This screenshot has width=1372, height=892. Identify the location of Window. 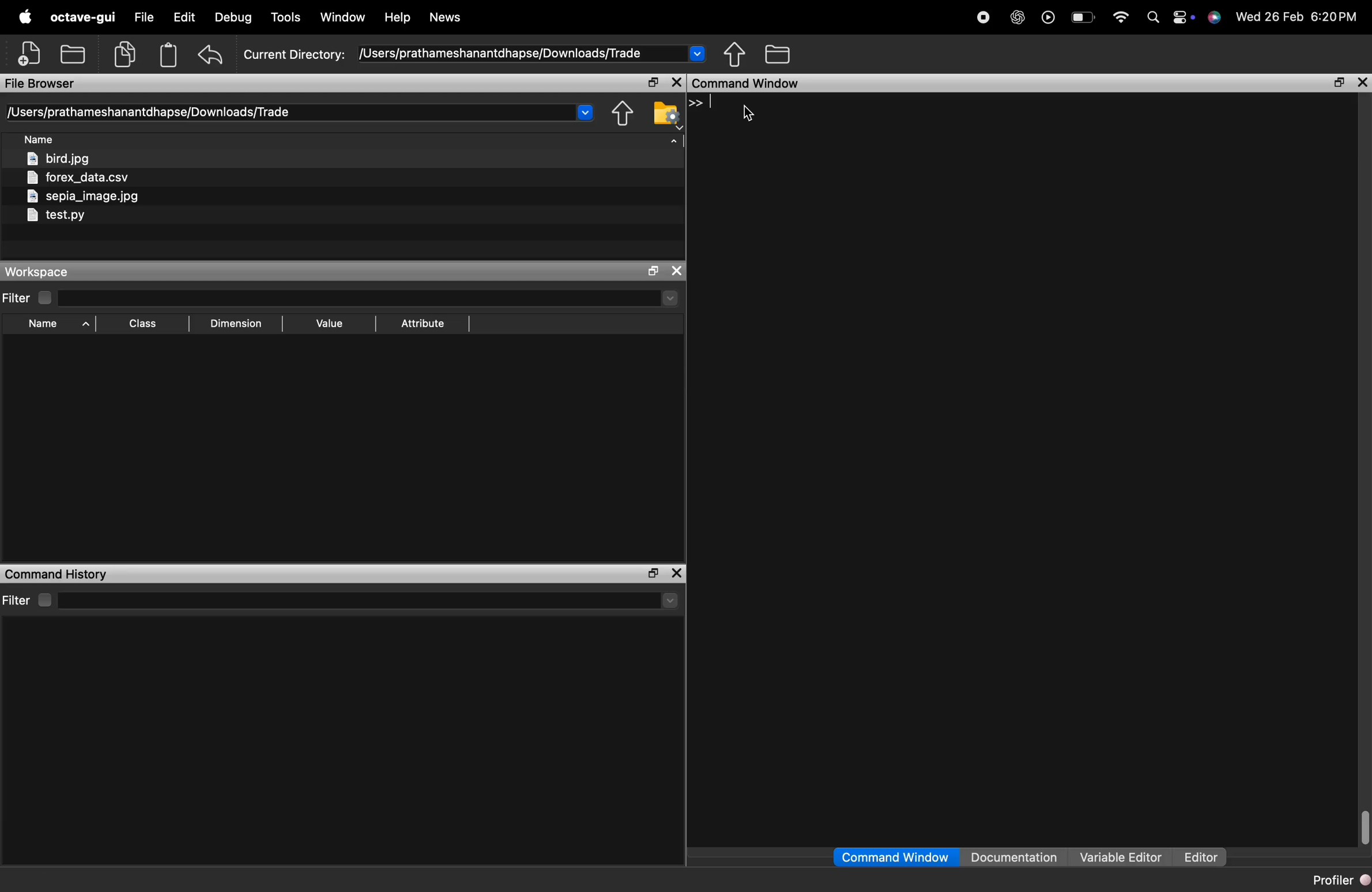
(342, 17).